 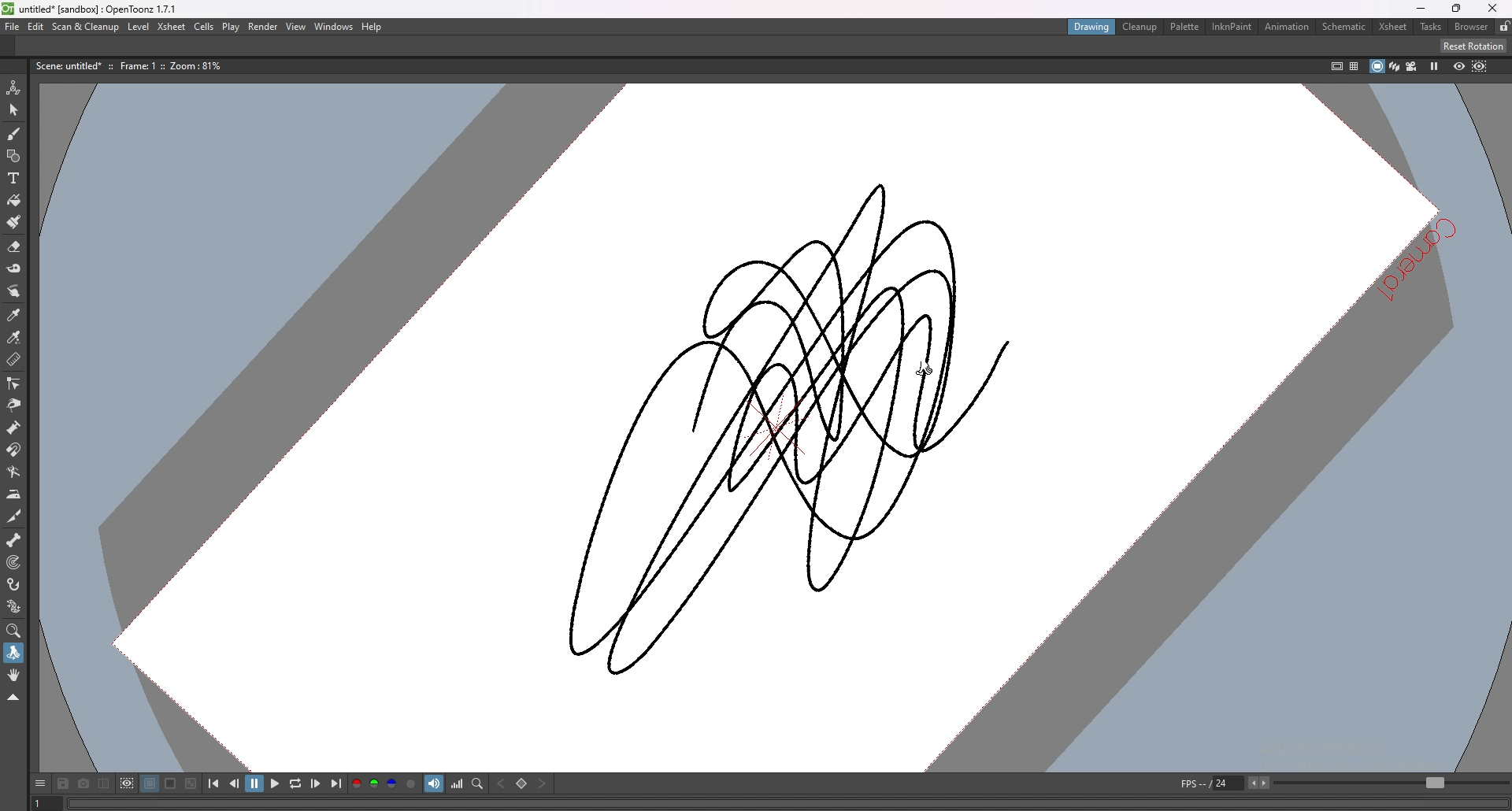 I want to click on windows, so click(x=333, y=26).